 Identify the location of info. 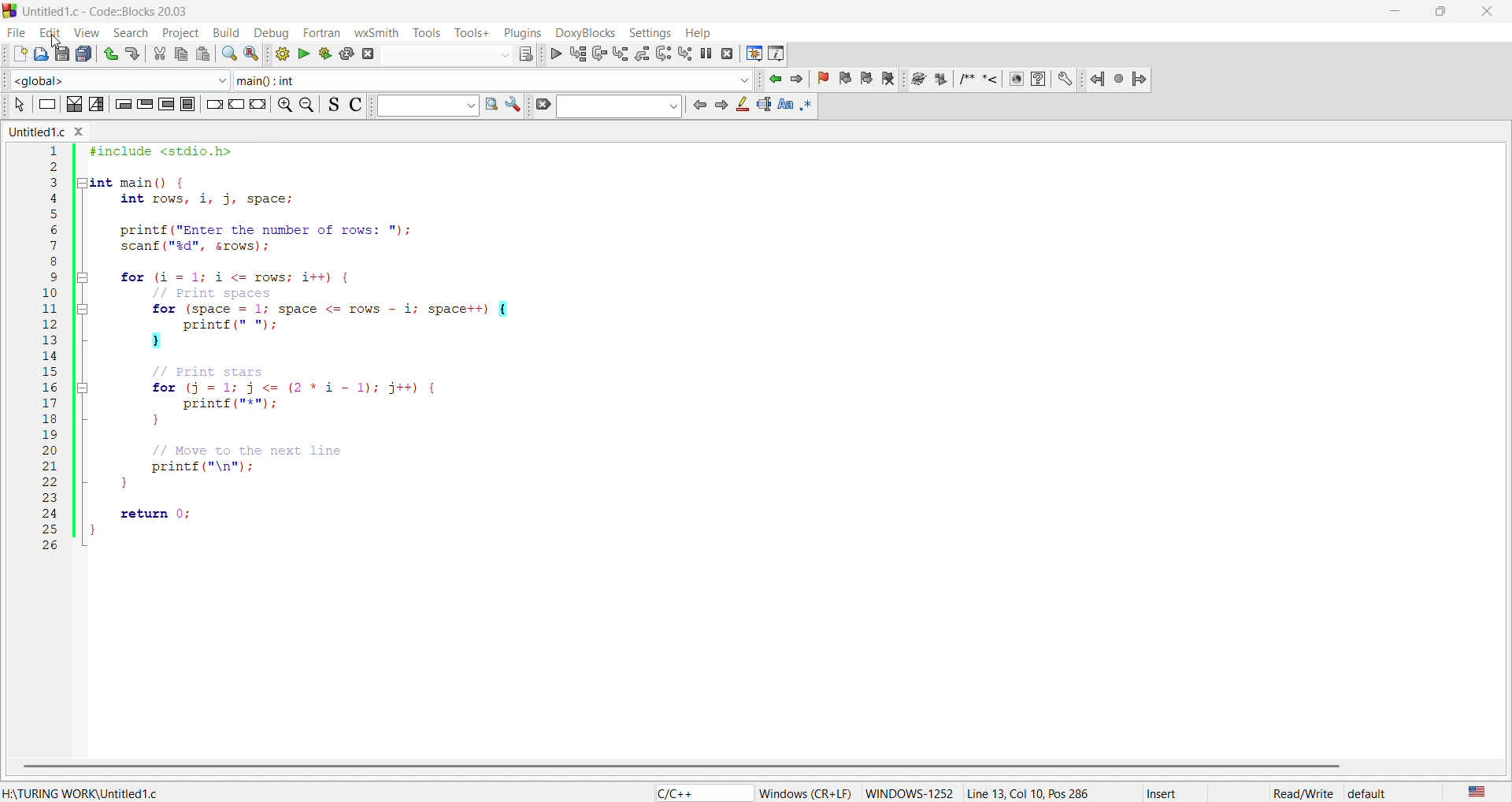
(777, 54).